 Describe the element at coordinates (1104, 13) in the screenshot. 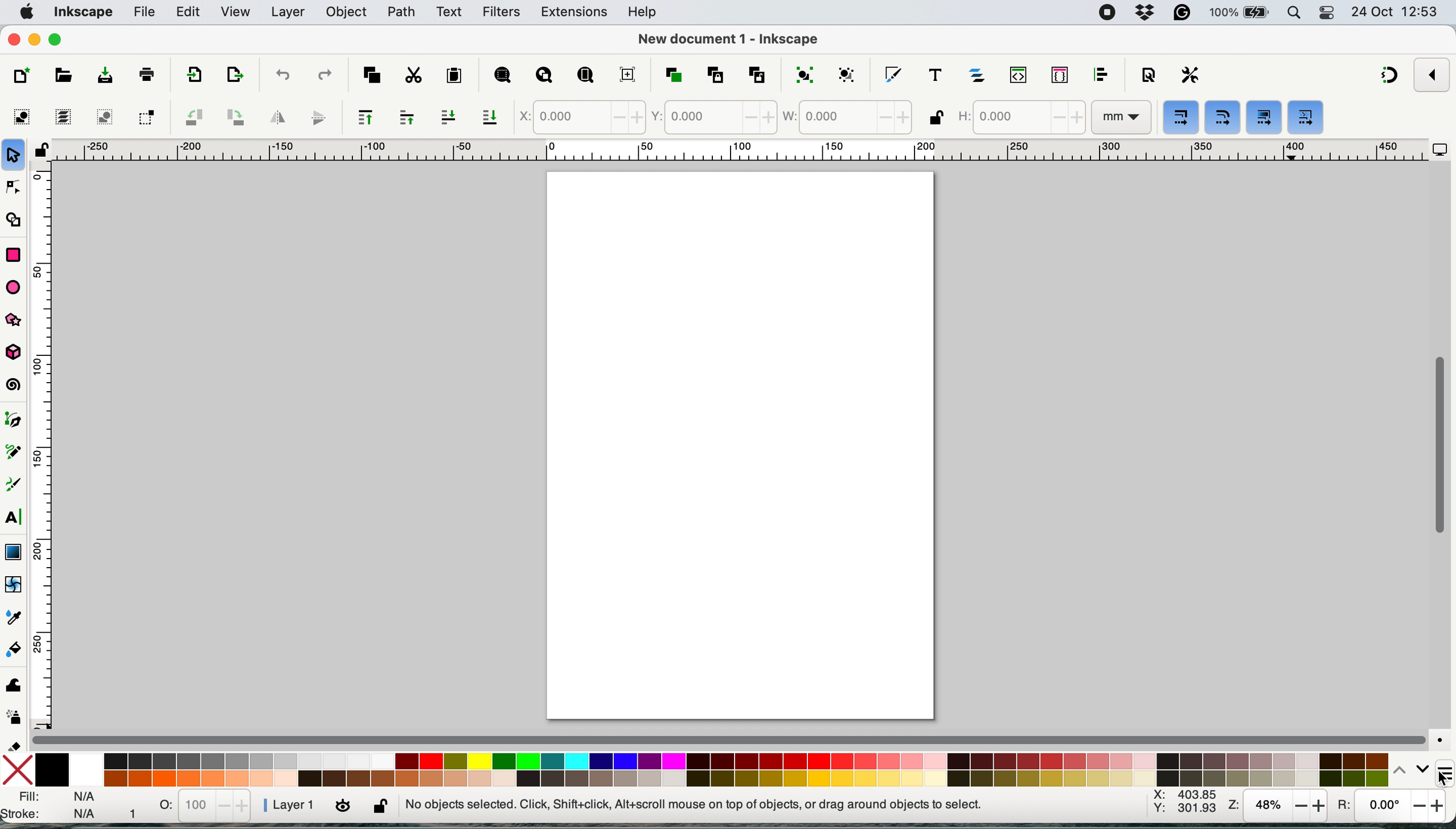

I see `screen recorder` at that location.